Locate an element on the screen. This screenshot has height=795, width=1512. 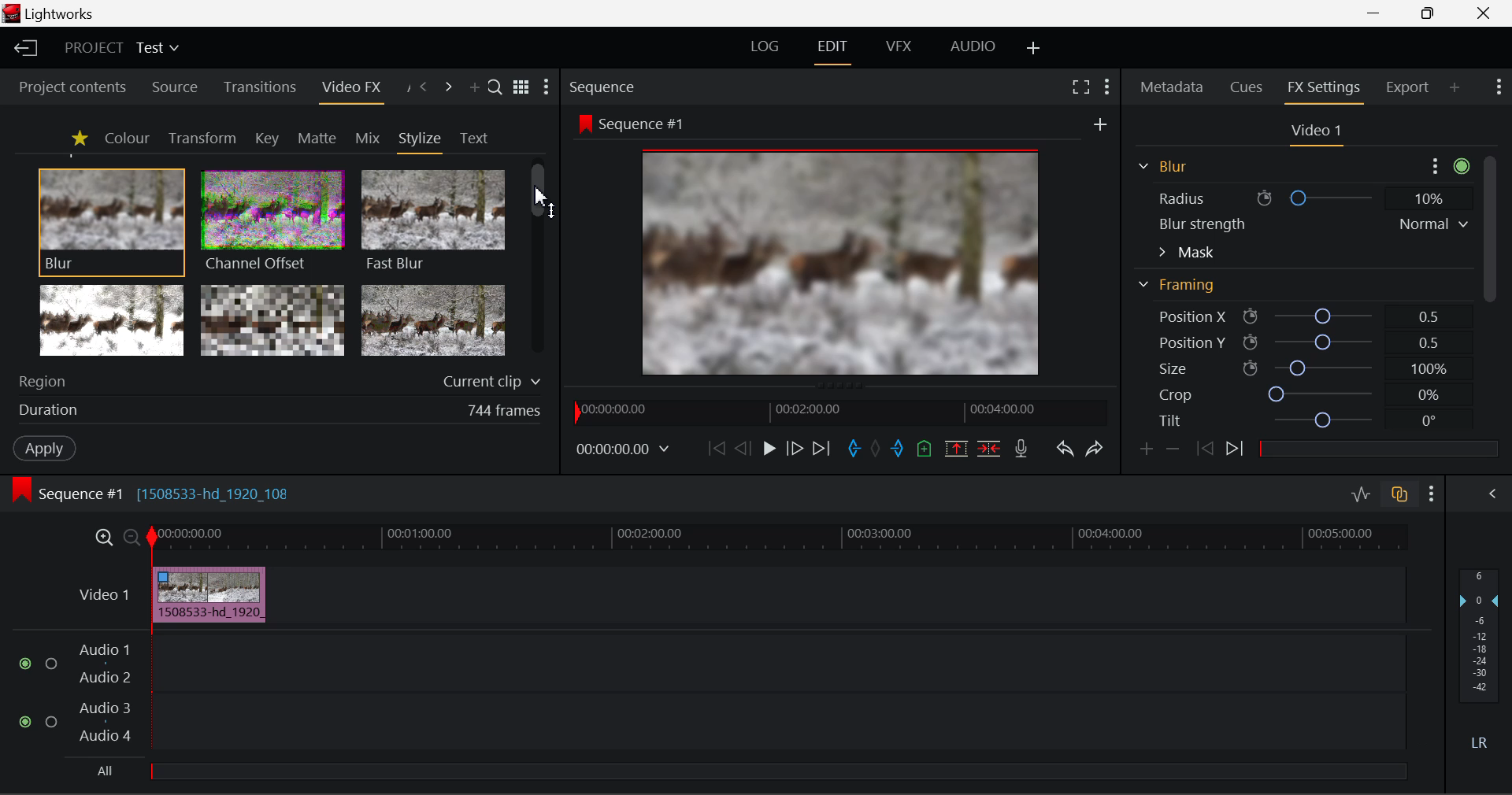
Project Timeline is located at coordinates (779, 538).